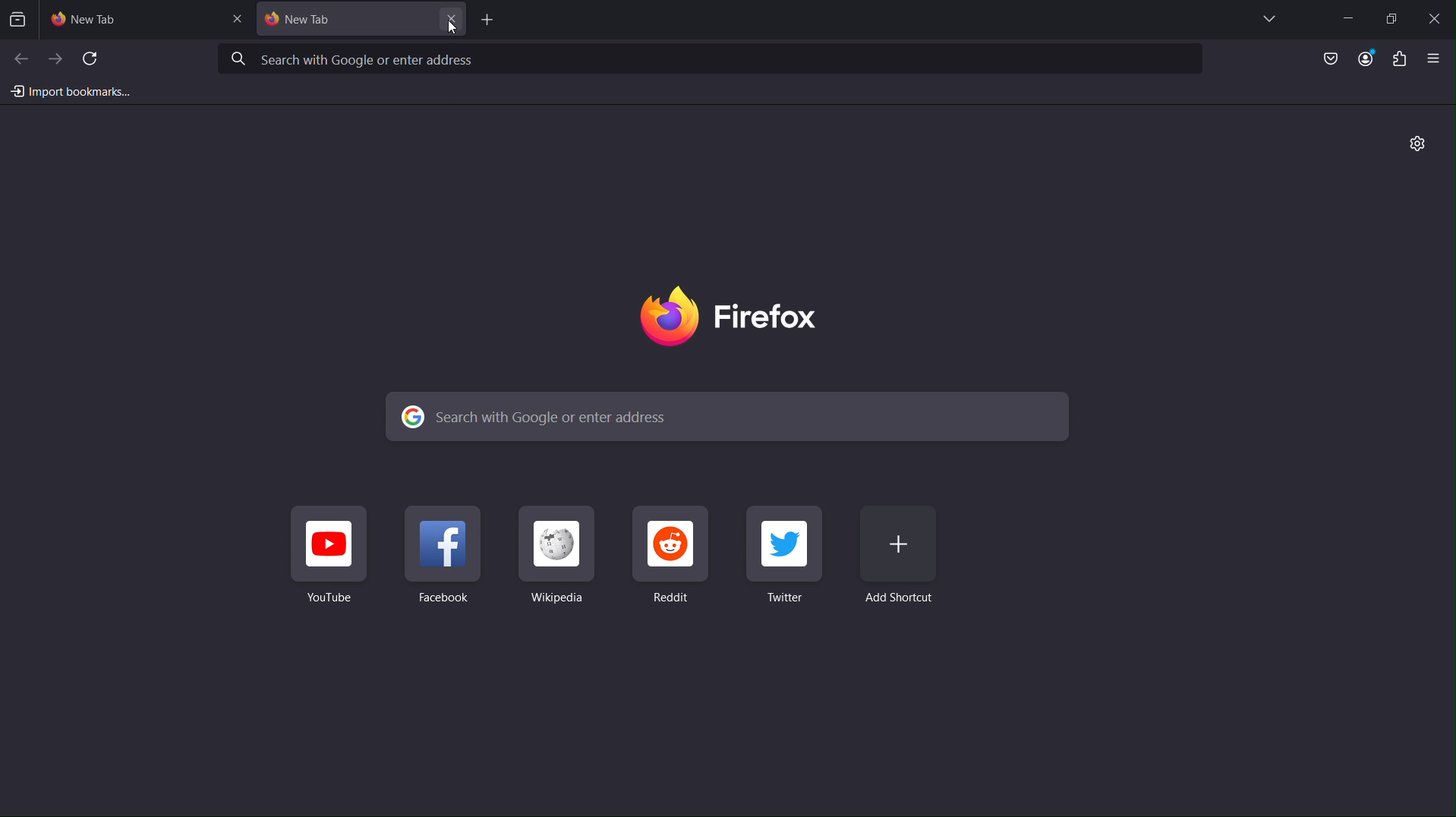 This screenshot has width=1456, height=817. Describe the element at coordinates (93, 56) in the screenshot. I see `Refresh` at that location.